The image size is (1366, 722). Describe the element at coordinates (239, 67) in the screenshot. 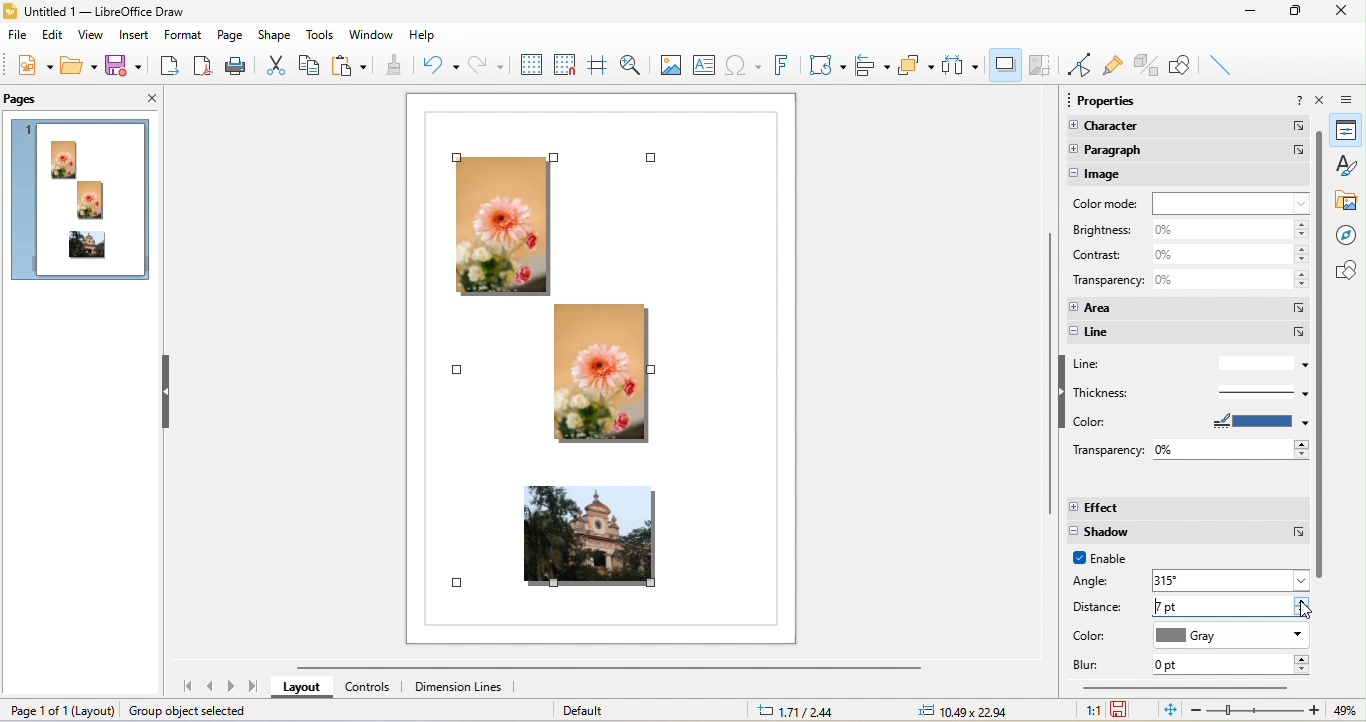

I see `print` at that location.